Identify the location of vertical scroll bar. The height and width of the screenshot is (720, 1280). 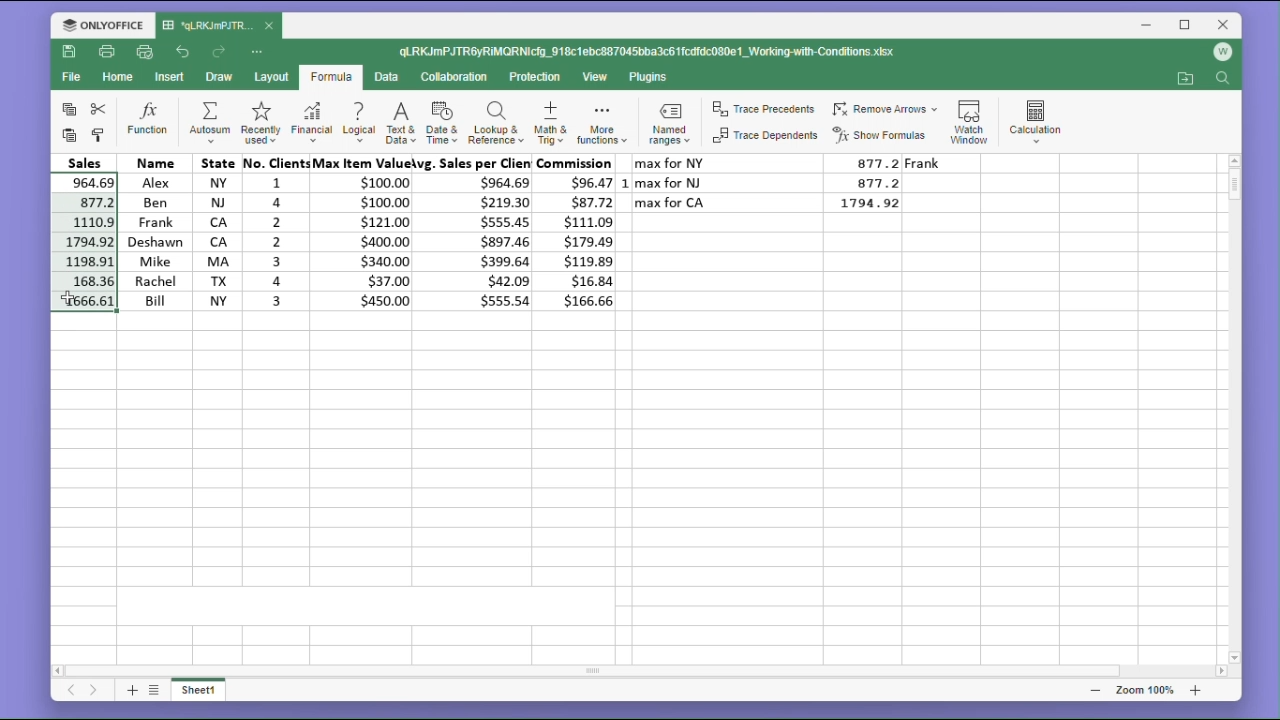
(1234, 409).